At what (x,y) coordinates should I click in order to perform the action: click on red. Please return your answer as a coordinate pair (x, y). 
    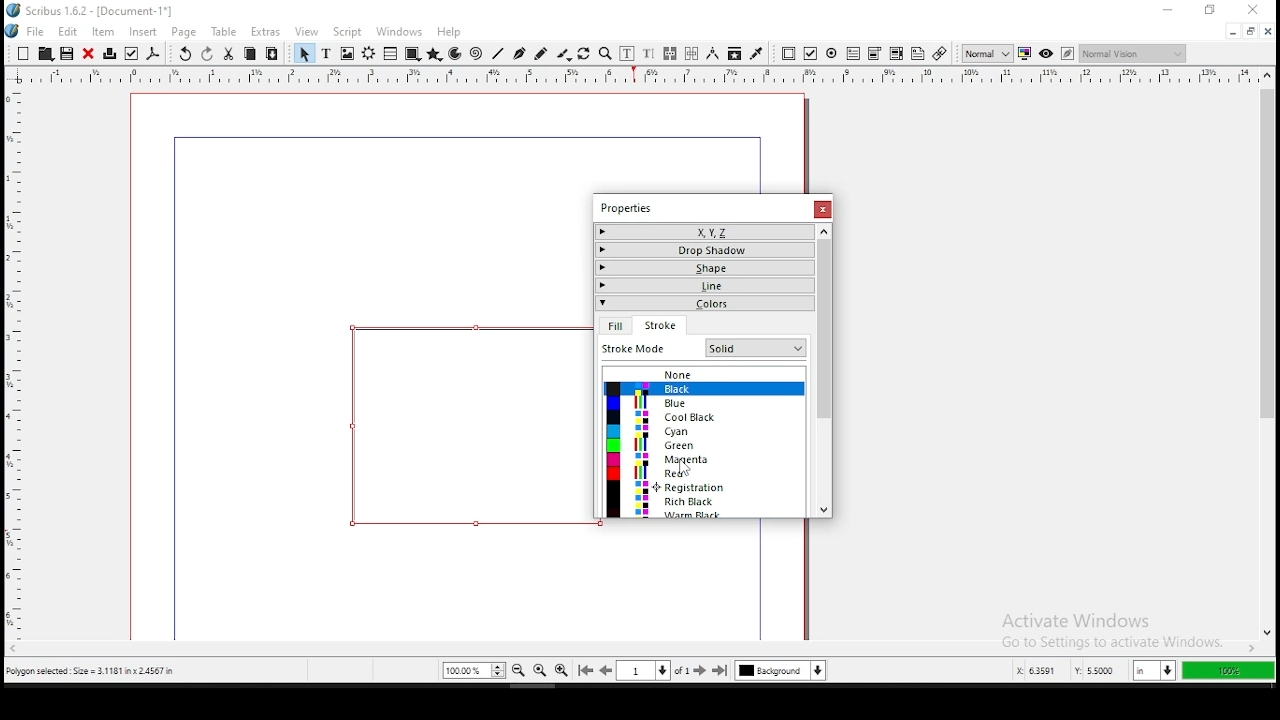
    Looking at the image, I should click on (705, 474).